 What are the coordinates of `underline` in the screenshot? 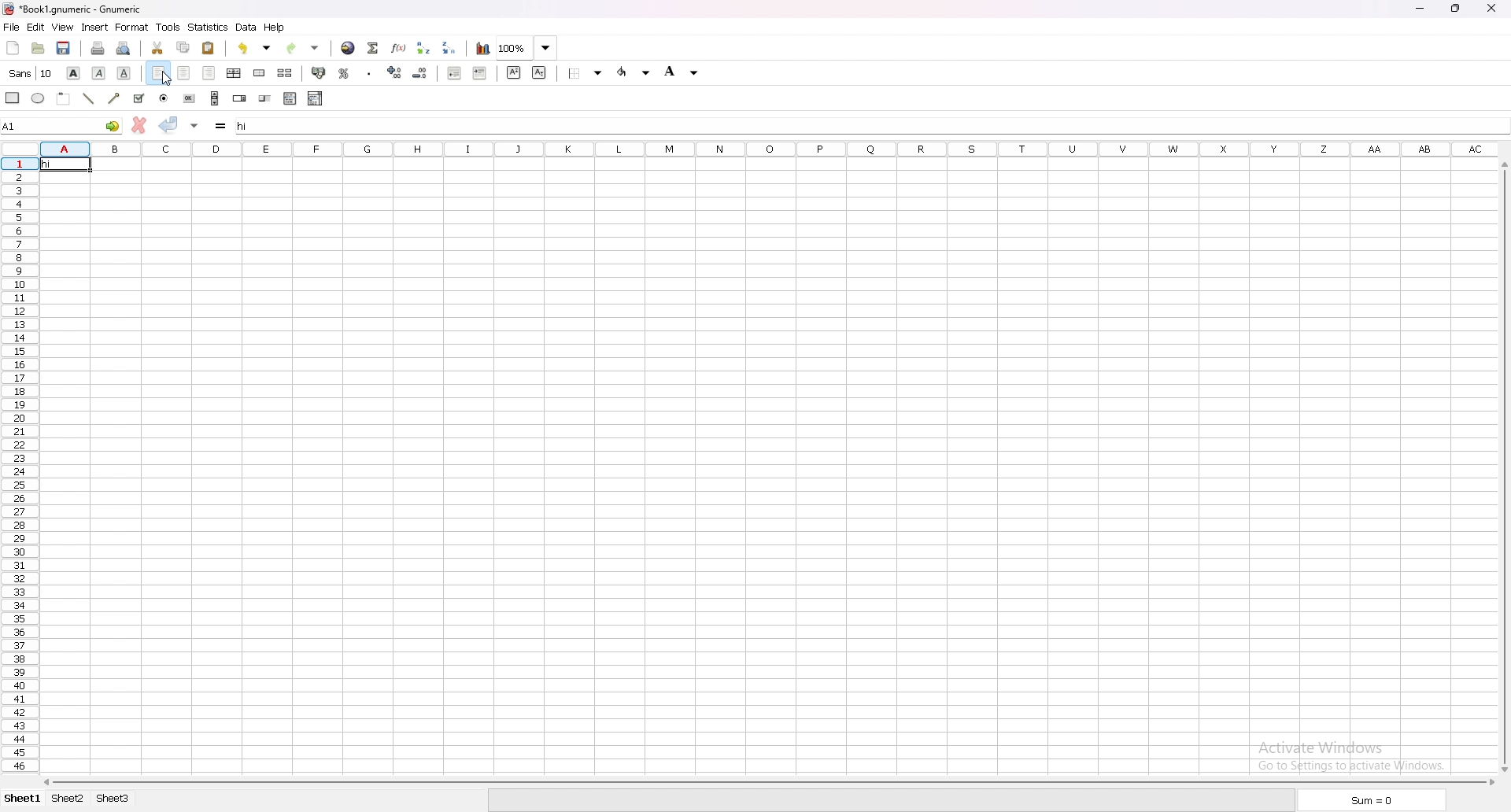 It's located at (124, 73).